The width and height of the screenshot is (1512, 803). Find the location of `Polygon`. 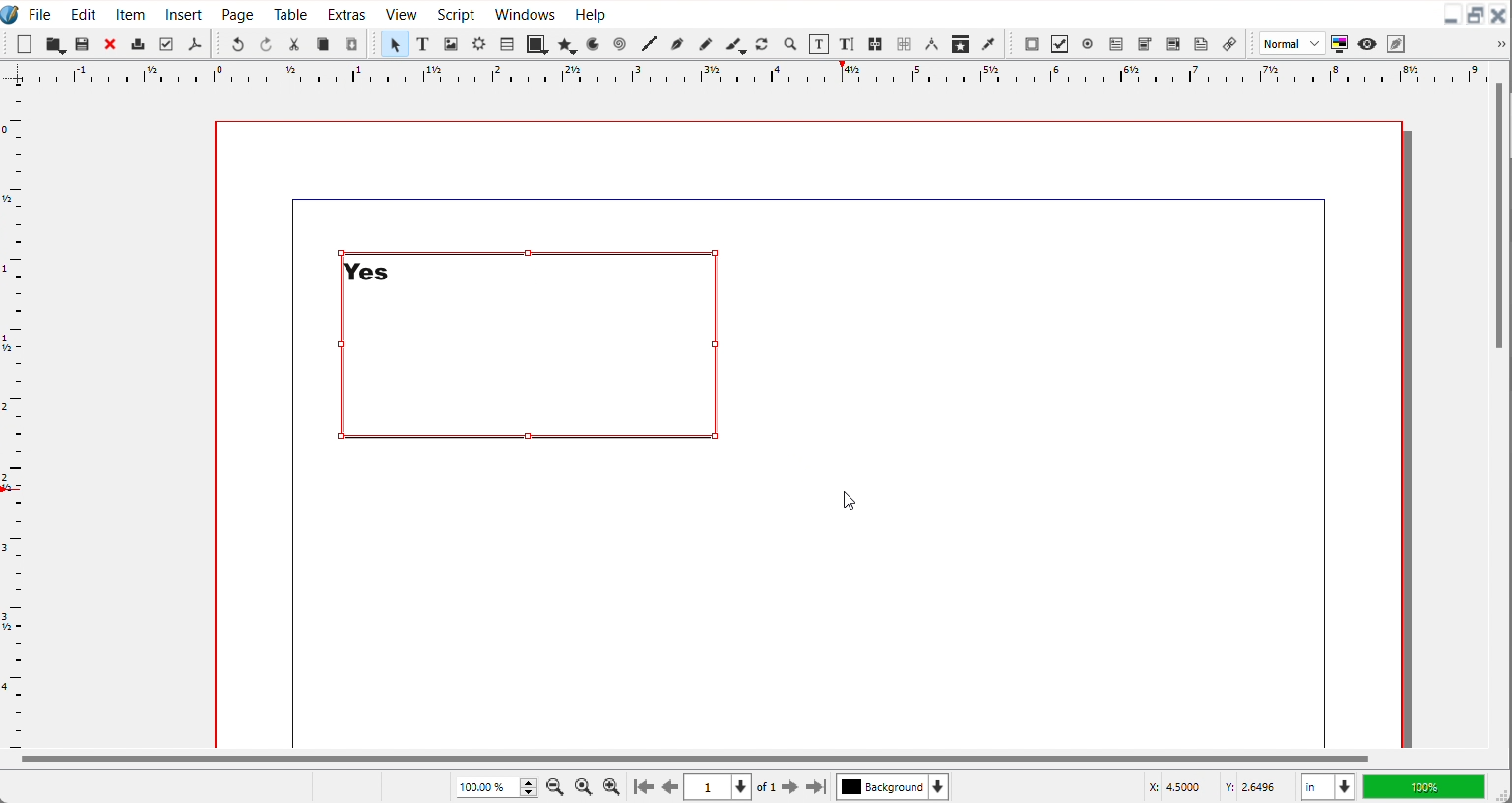

Polygon is located at coordinates (568, 44).